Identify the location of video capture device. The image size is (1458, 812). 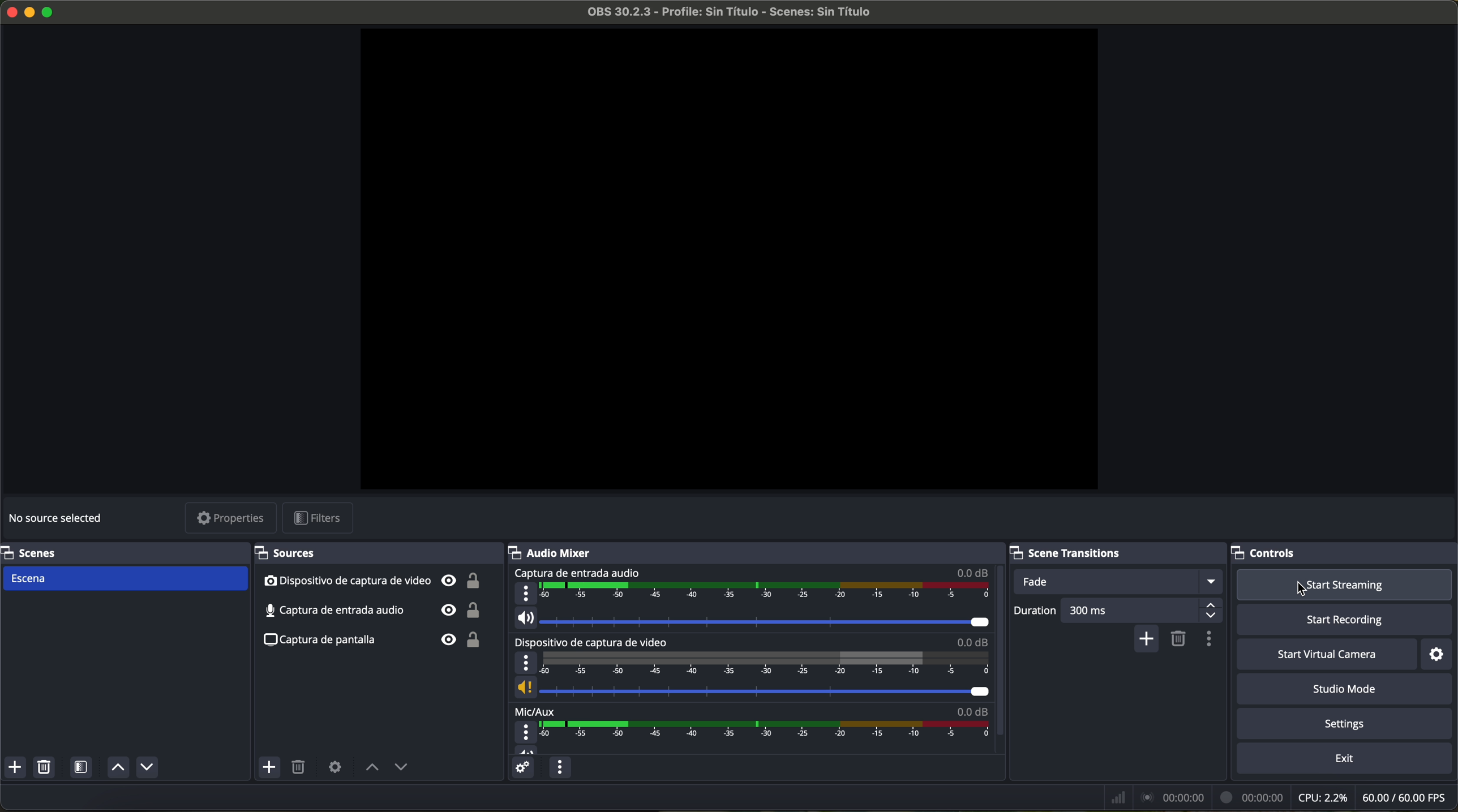
(372, 581).